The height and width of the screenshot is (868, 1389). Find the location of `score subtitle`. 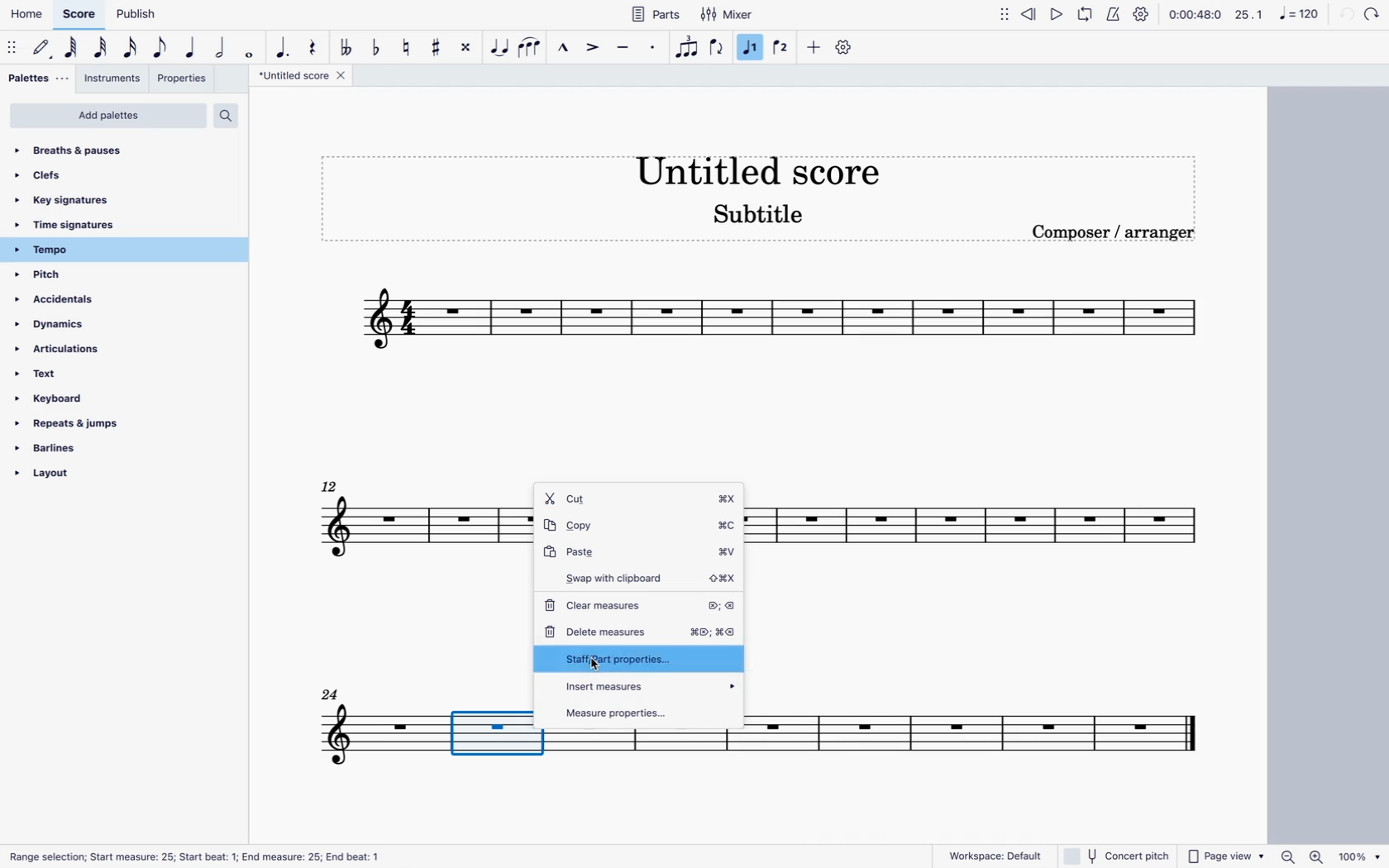

score subtitle is located at coordinates (764, 216).